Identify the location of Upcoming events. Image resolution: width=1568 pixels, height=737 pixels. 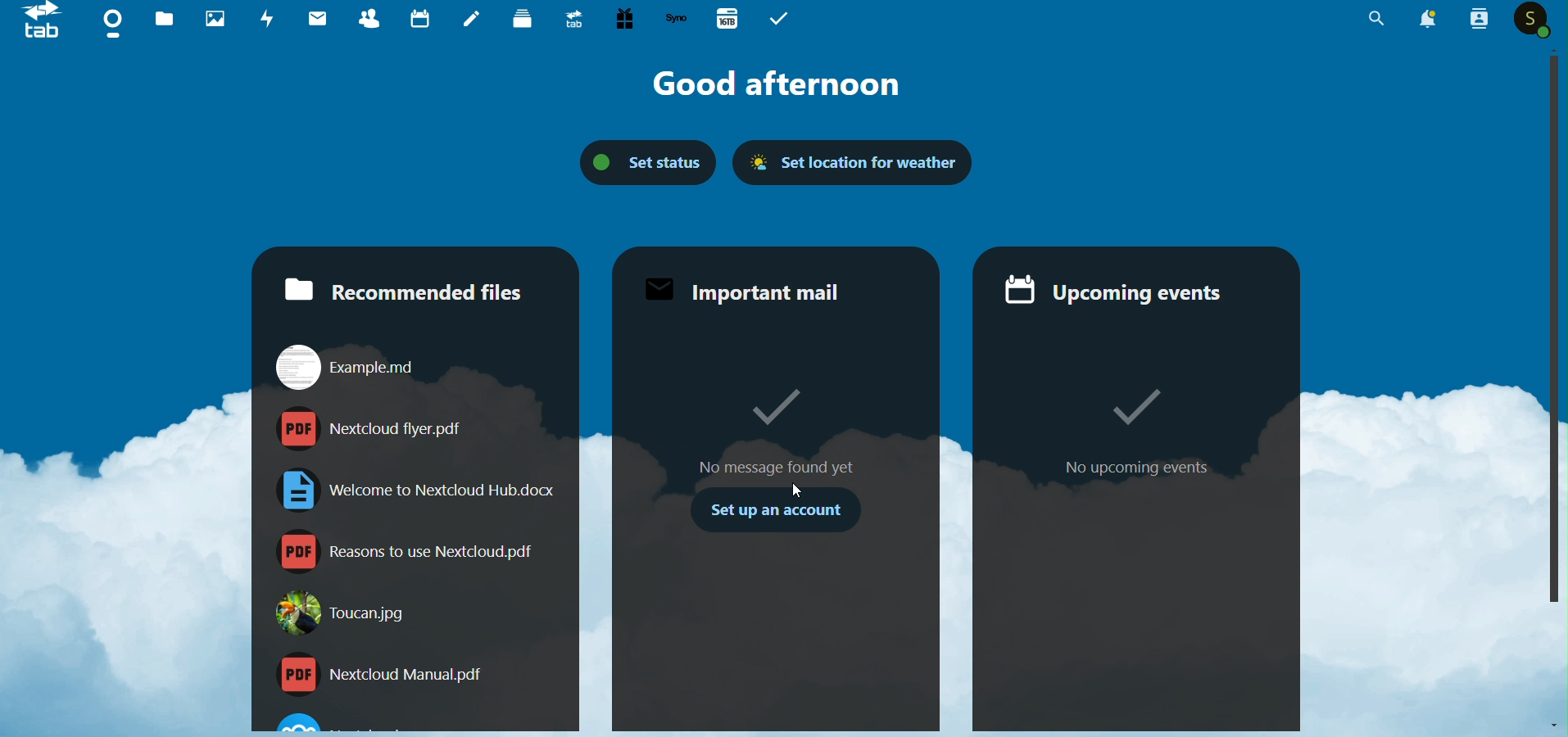
(1122, 287).